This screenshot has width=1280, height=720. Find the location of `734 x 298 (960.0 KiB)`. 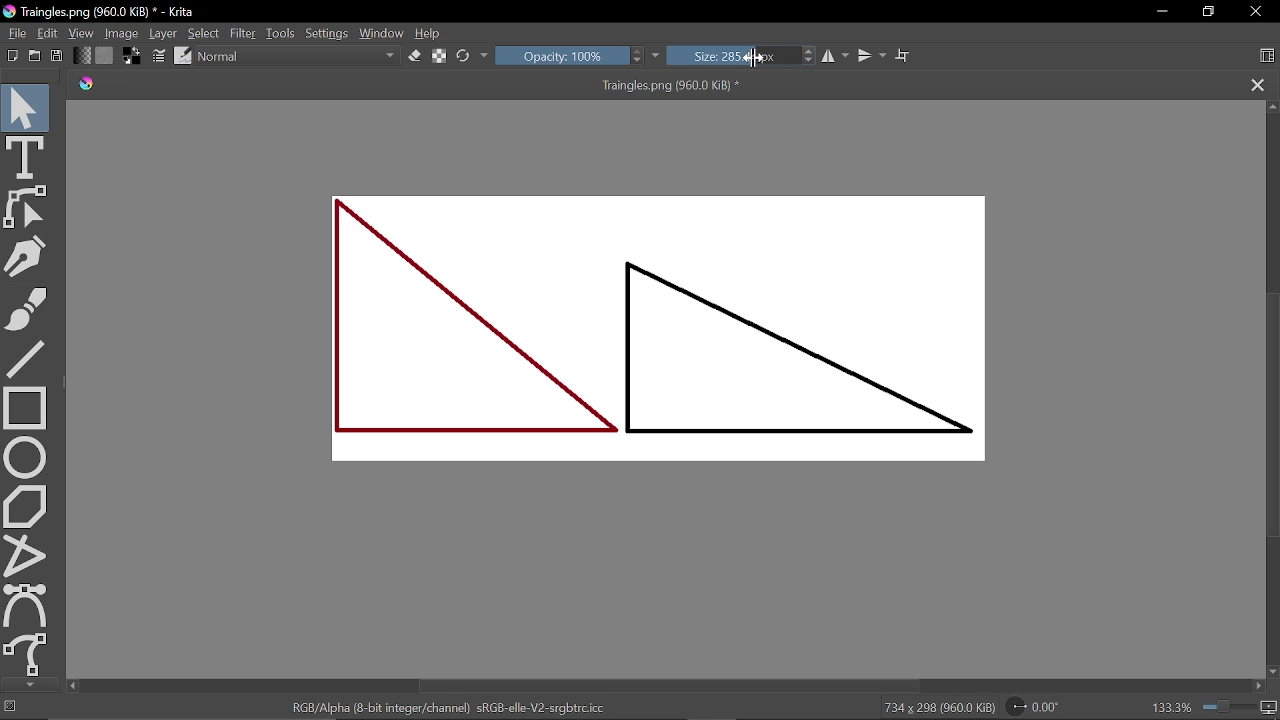

734 x 298 (960.0 KiB) is located at coordinates (935, 706).